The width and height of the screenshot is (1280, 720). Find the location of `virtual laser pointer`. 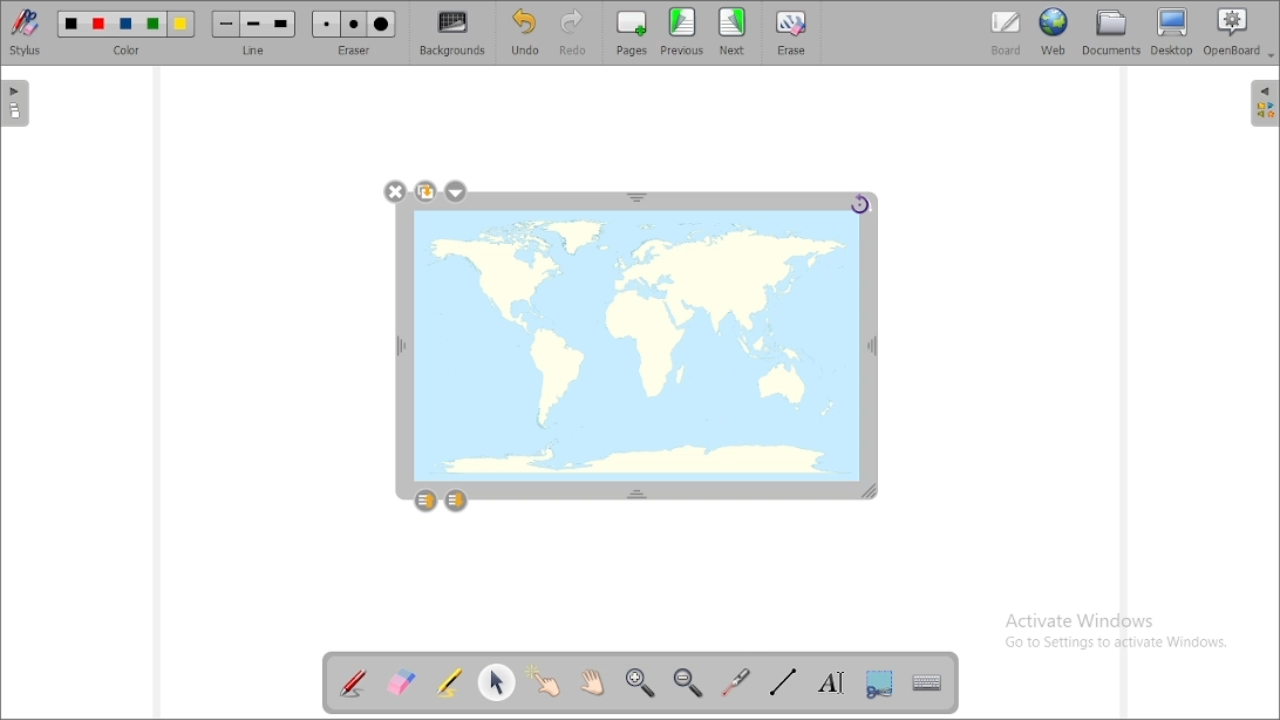

virtual laser pointer is located at coordinates (737, 683).